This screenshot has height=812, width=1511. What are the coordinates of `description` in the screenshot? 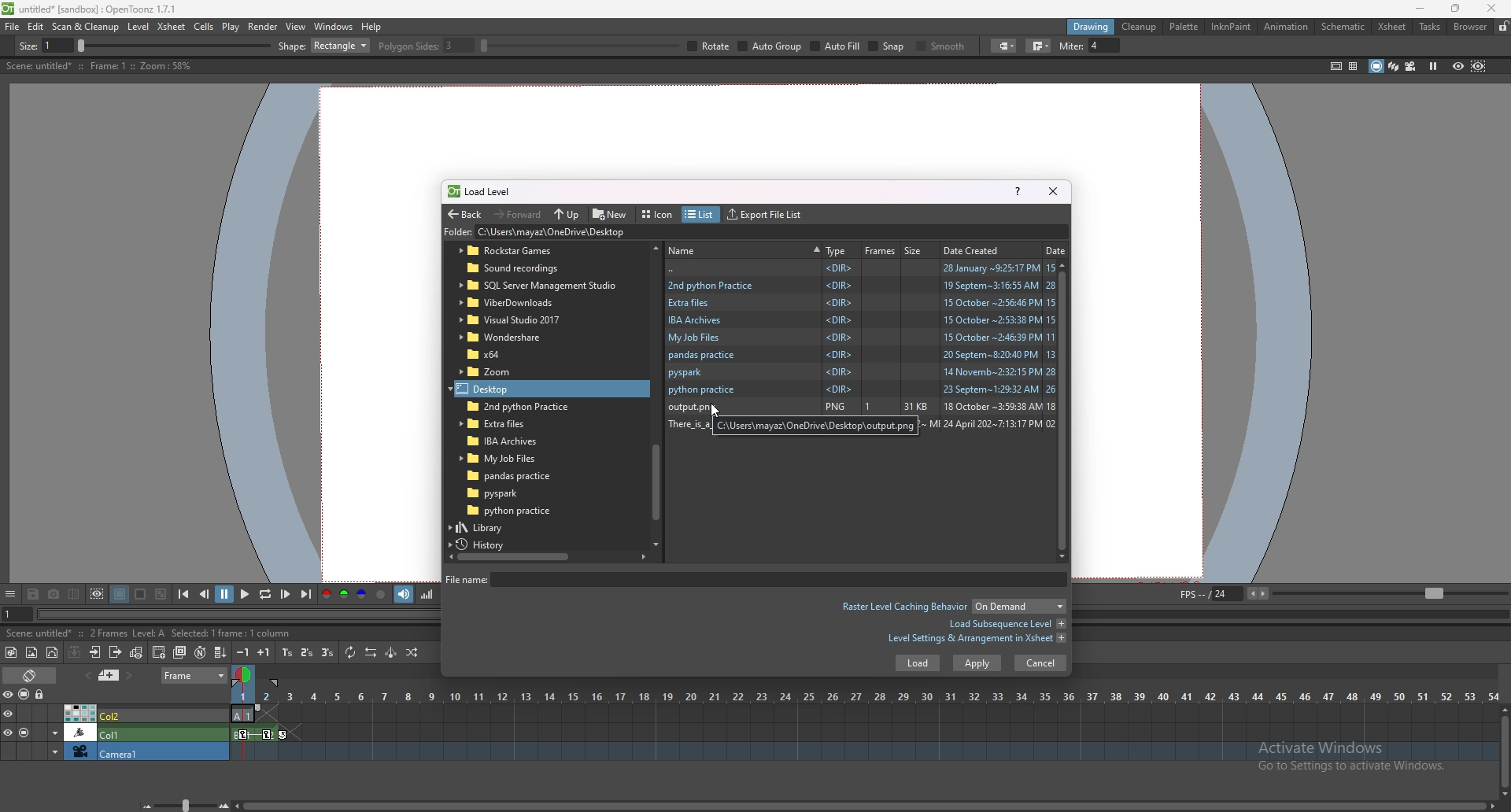 It's located at (130, 632).